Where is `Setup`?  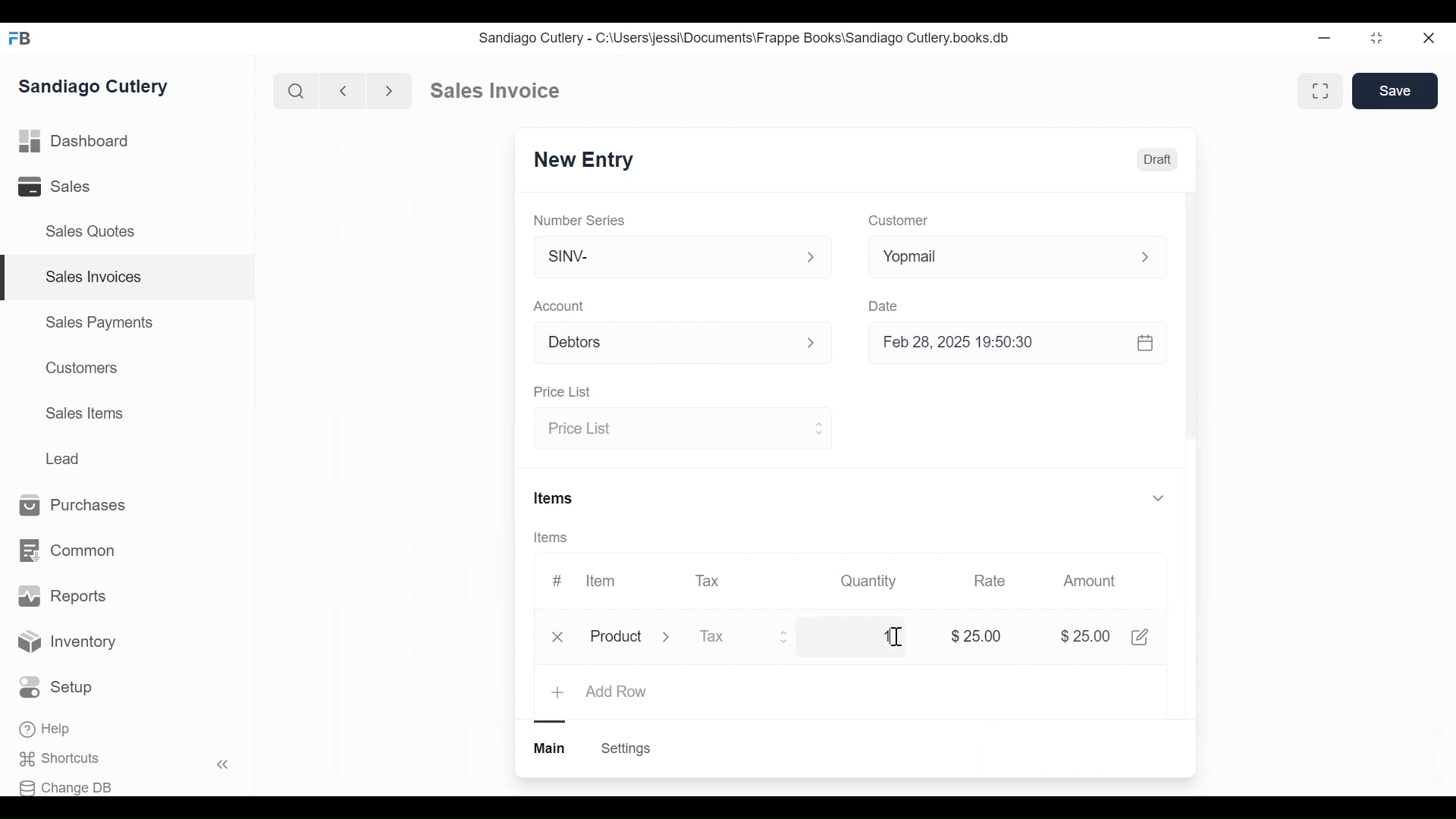
Setup is located at coordinates (56, 687).